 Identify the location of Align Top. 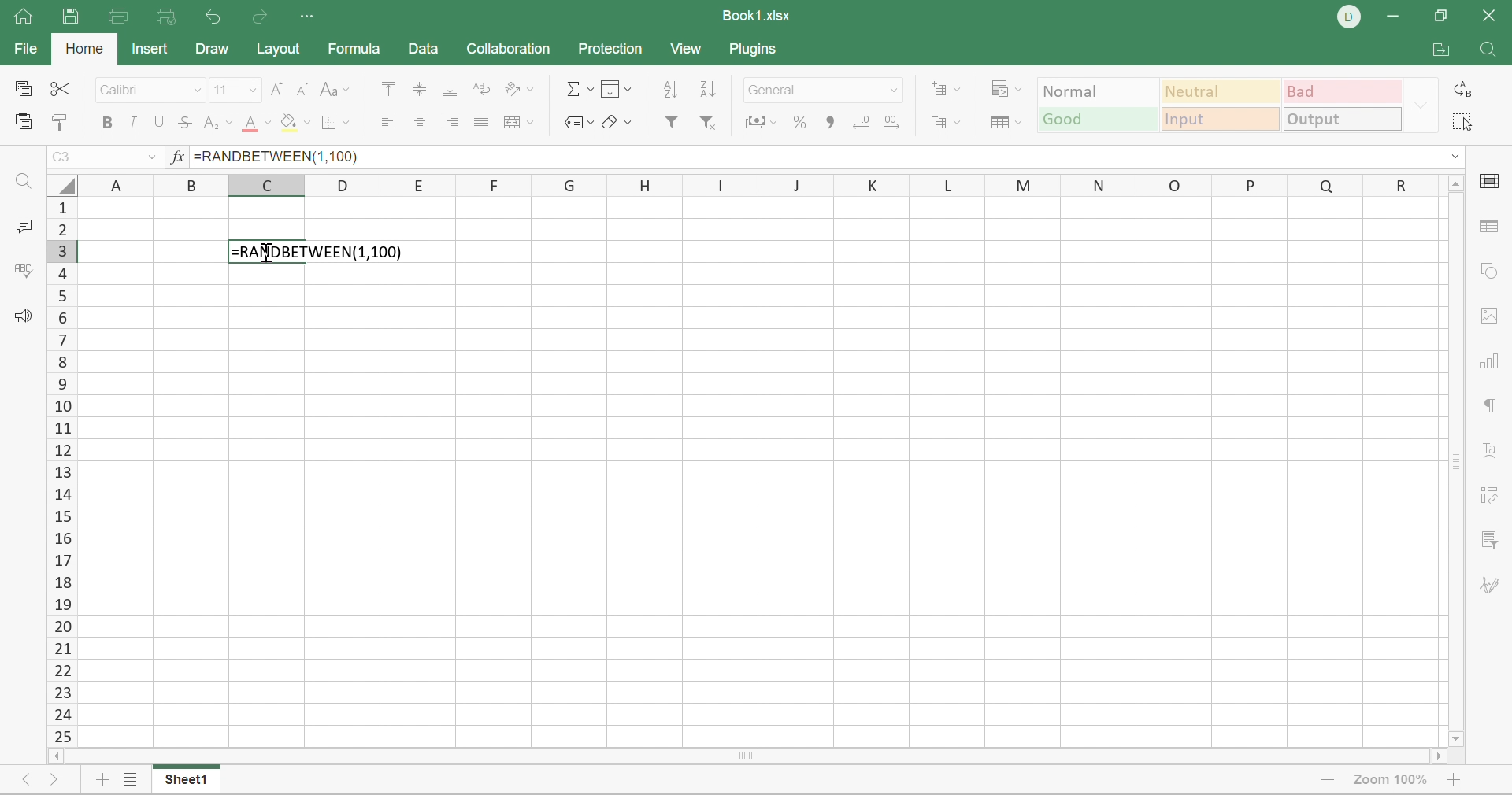
(387, 87).